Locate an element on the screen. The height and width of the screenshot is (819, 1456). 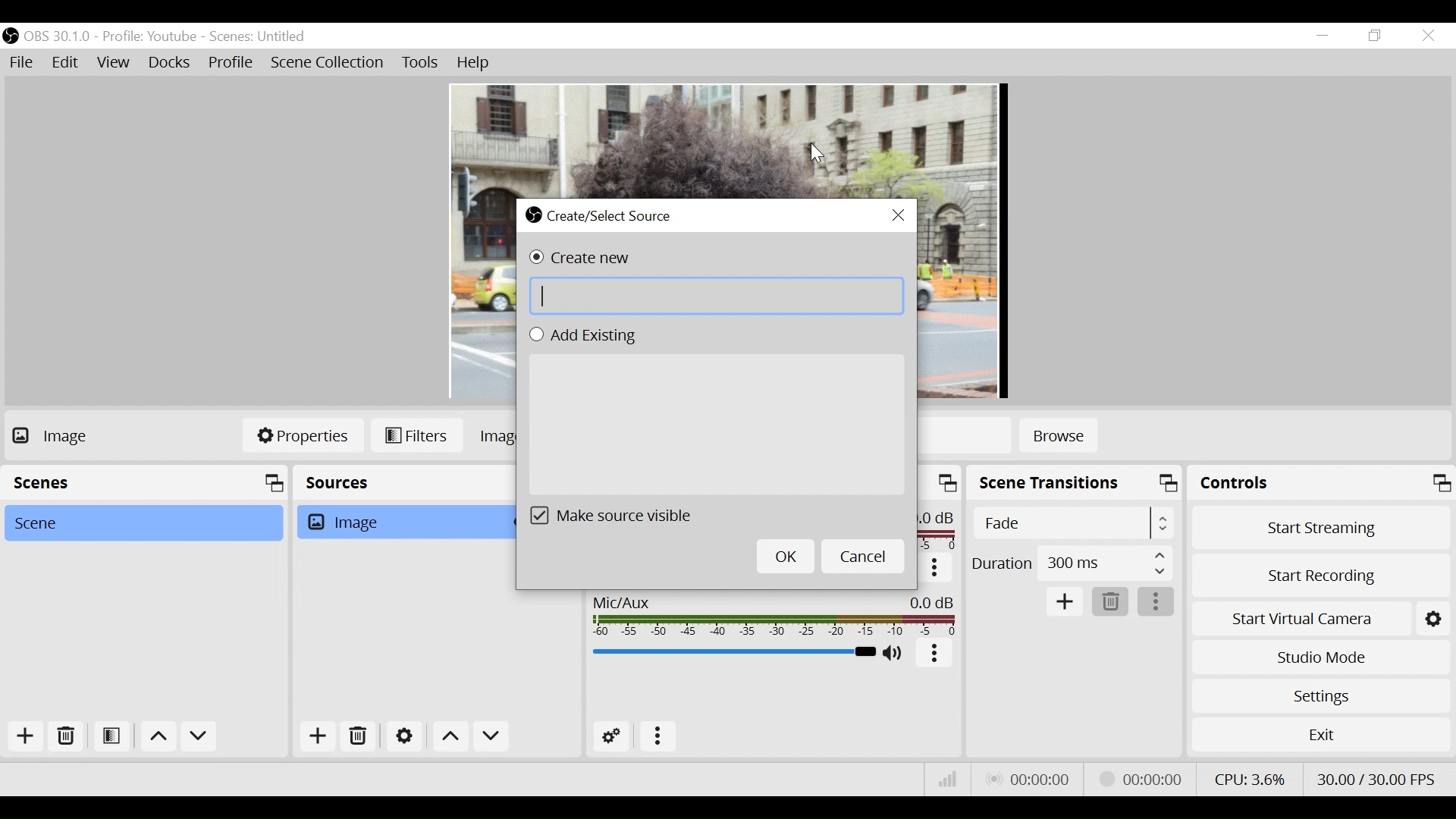
Move down is located at coordinates (491, 736).